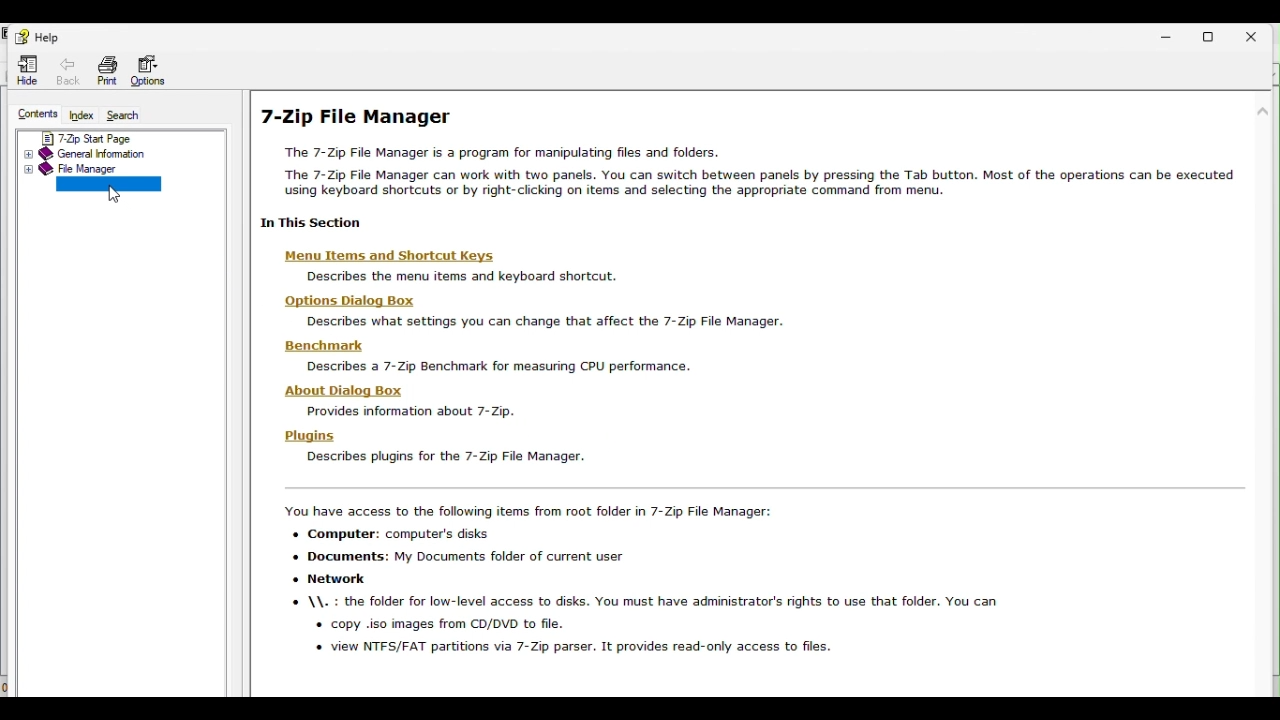 The height and width of the screenshot is (720, 1280). What do you see at coordinates (107, 169) in the screenshot?
I see `File manager` at bounding box center [107, 169].